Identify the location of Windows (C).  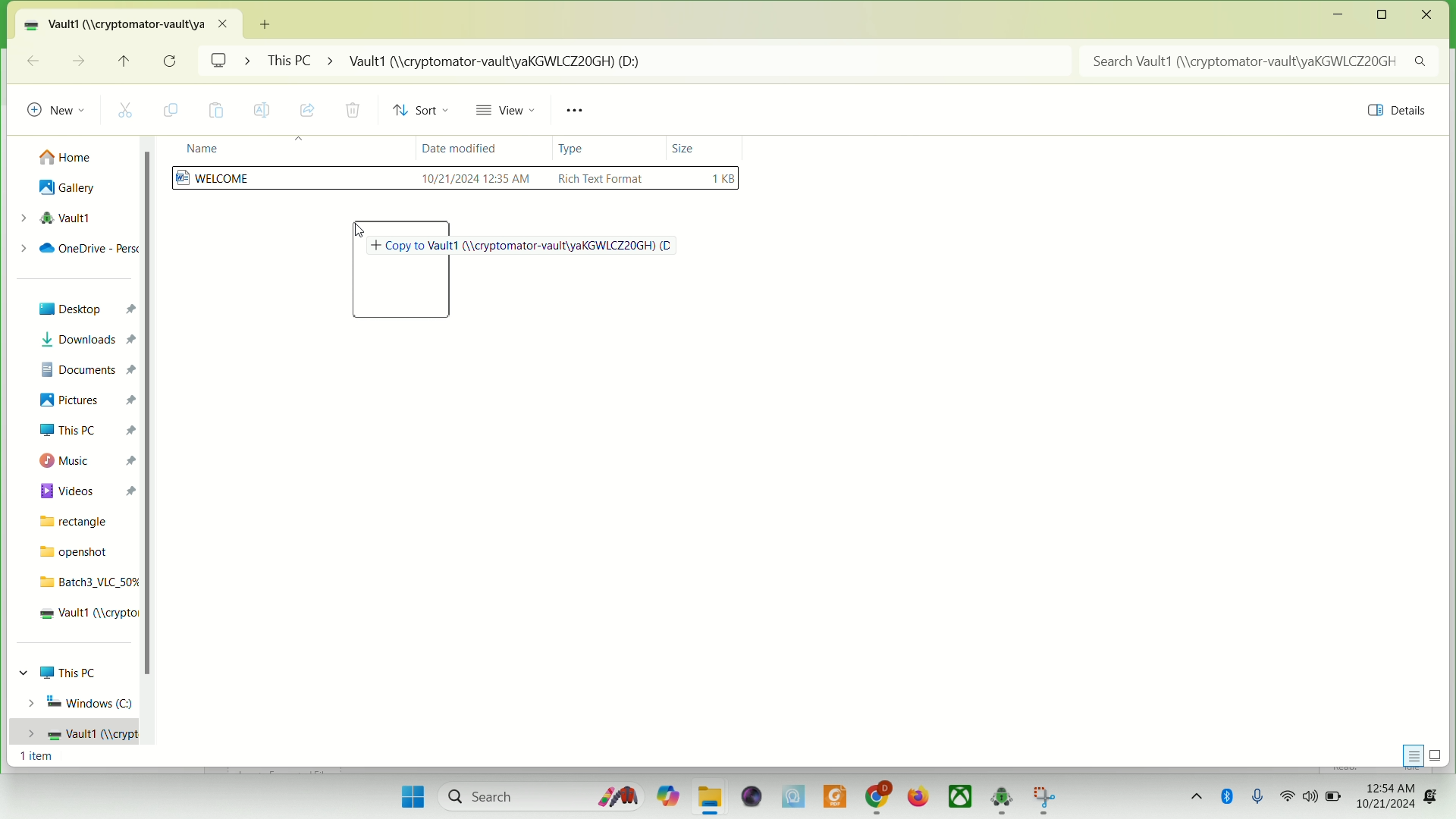
(77, 702).